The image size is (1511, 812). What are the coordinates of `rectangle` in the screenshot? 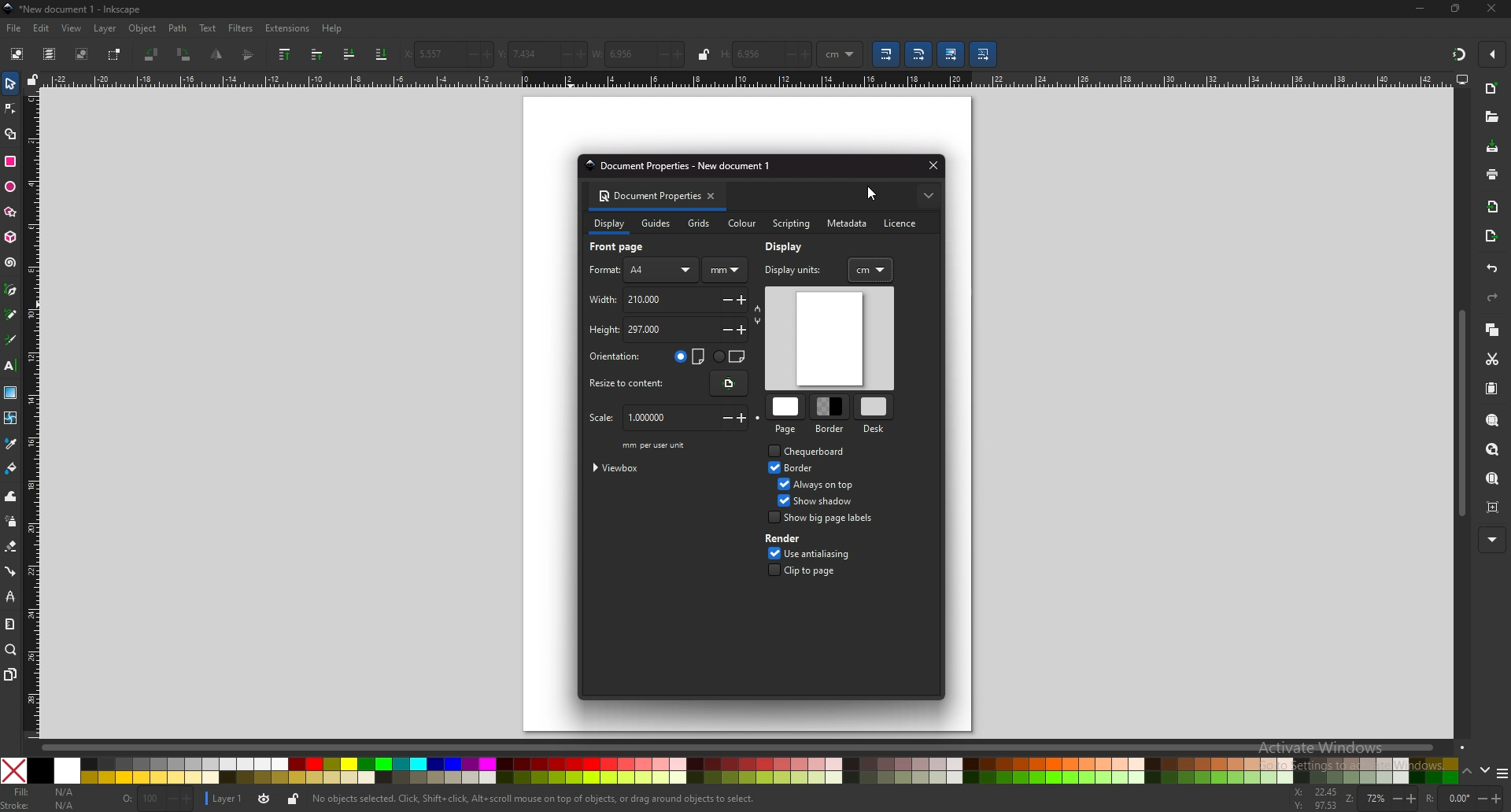 It's located at (10, 161).